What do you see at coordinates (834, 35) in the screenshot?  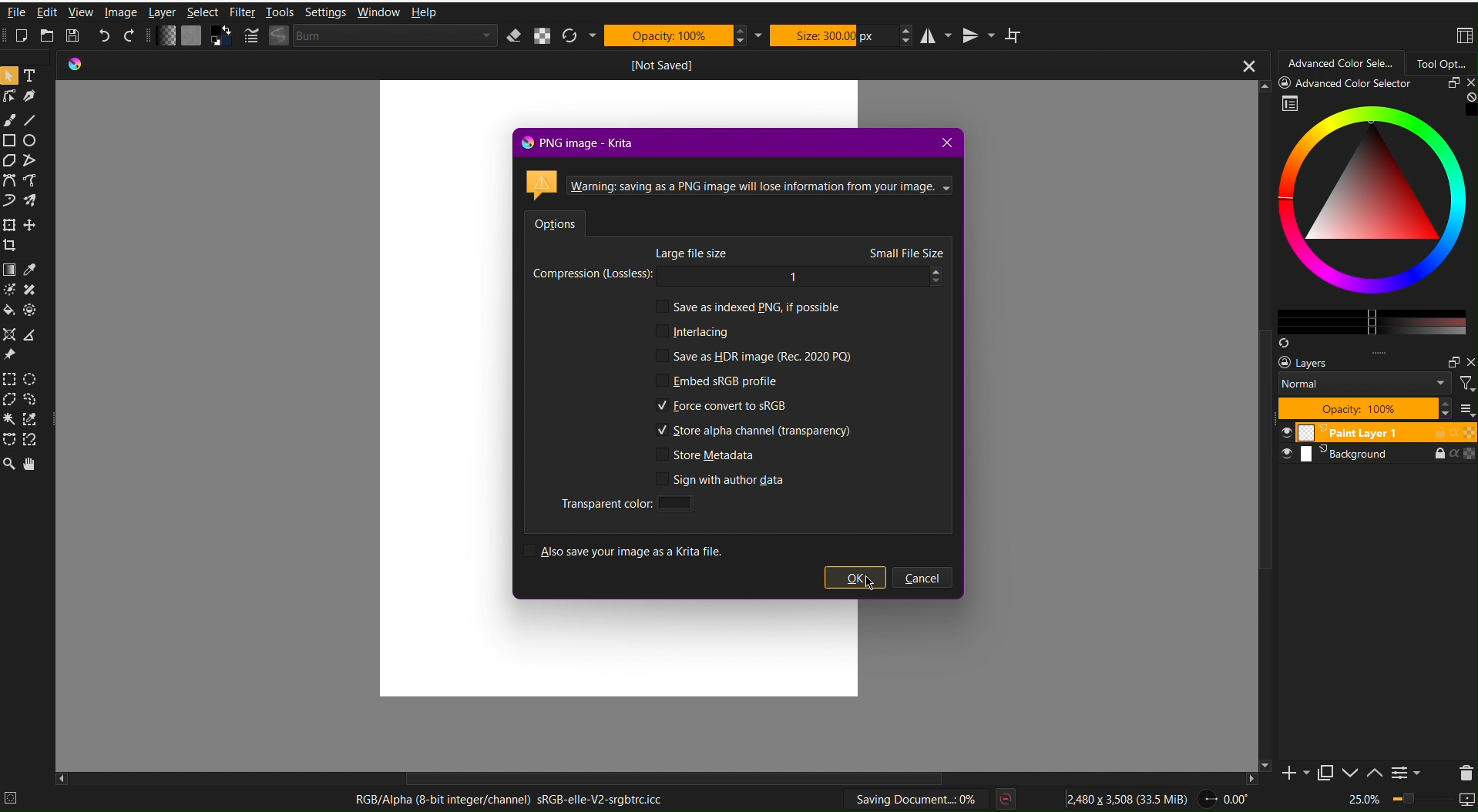 I see `Size` at bounding box center [834, 35].